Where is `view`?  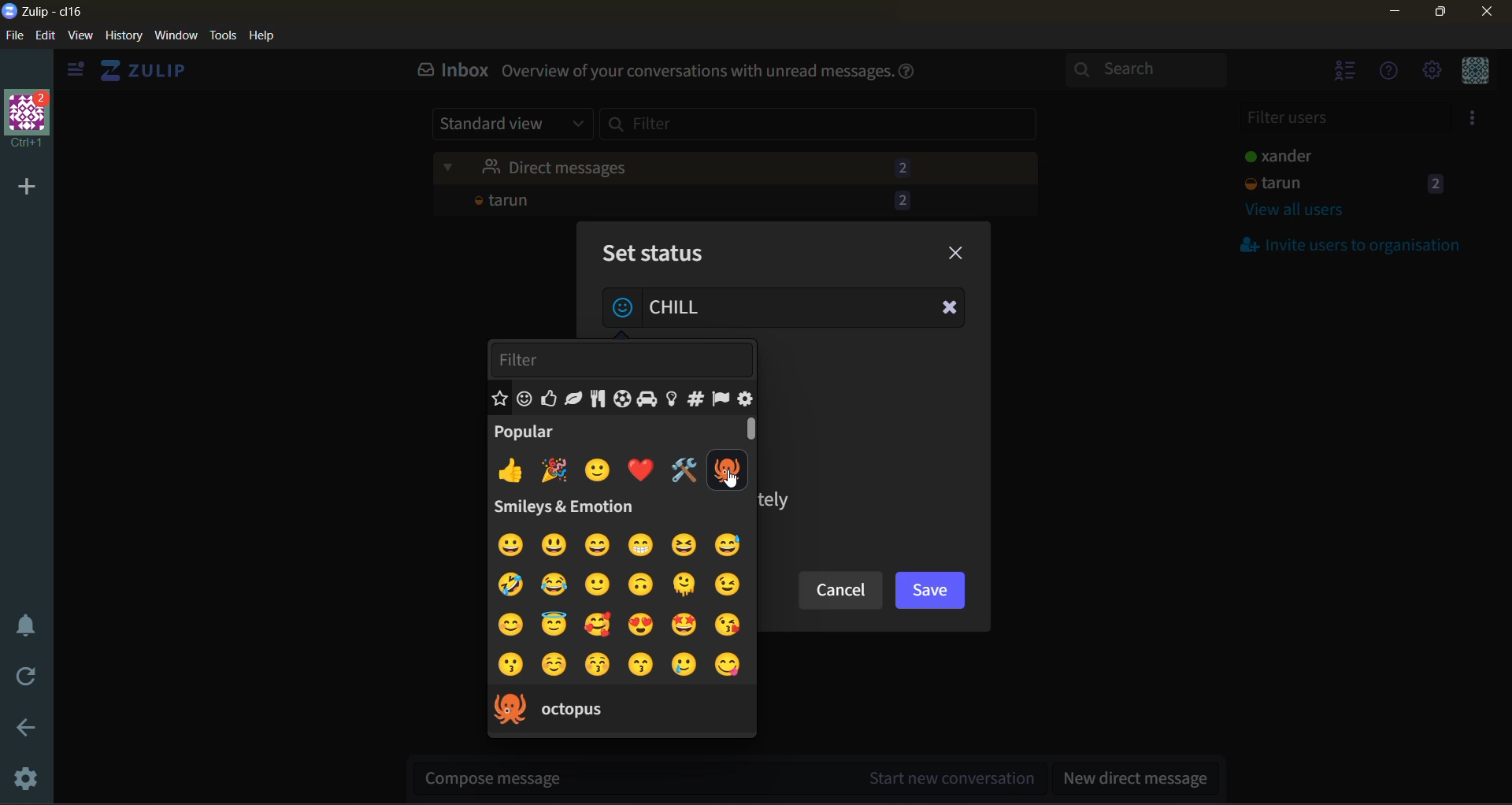
view is located at coordinates (85, 36).